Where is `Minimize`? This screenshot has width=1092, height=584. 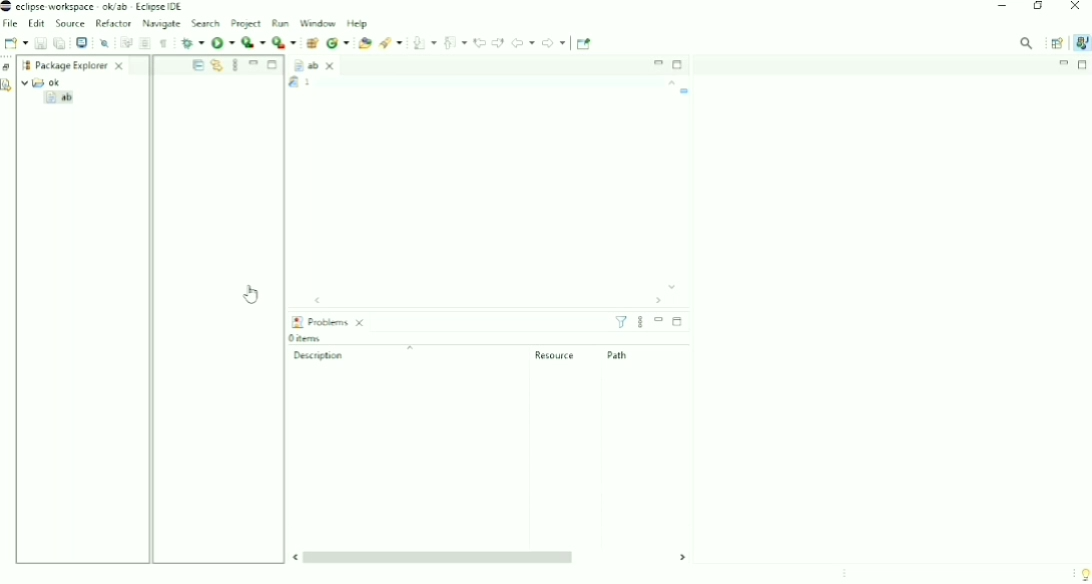
Minimize is located at coordinates (254, 63).